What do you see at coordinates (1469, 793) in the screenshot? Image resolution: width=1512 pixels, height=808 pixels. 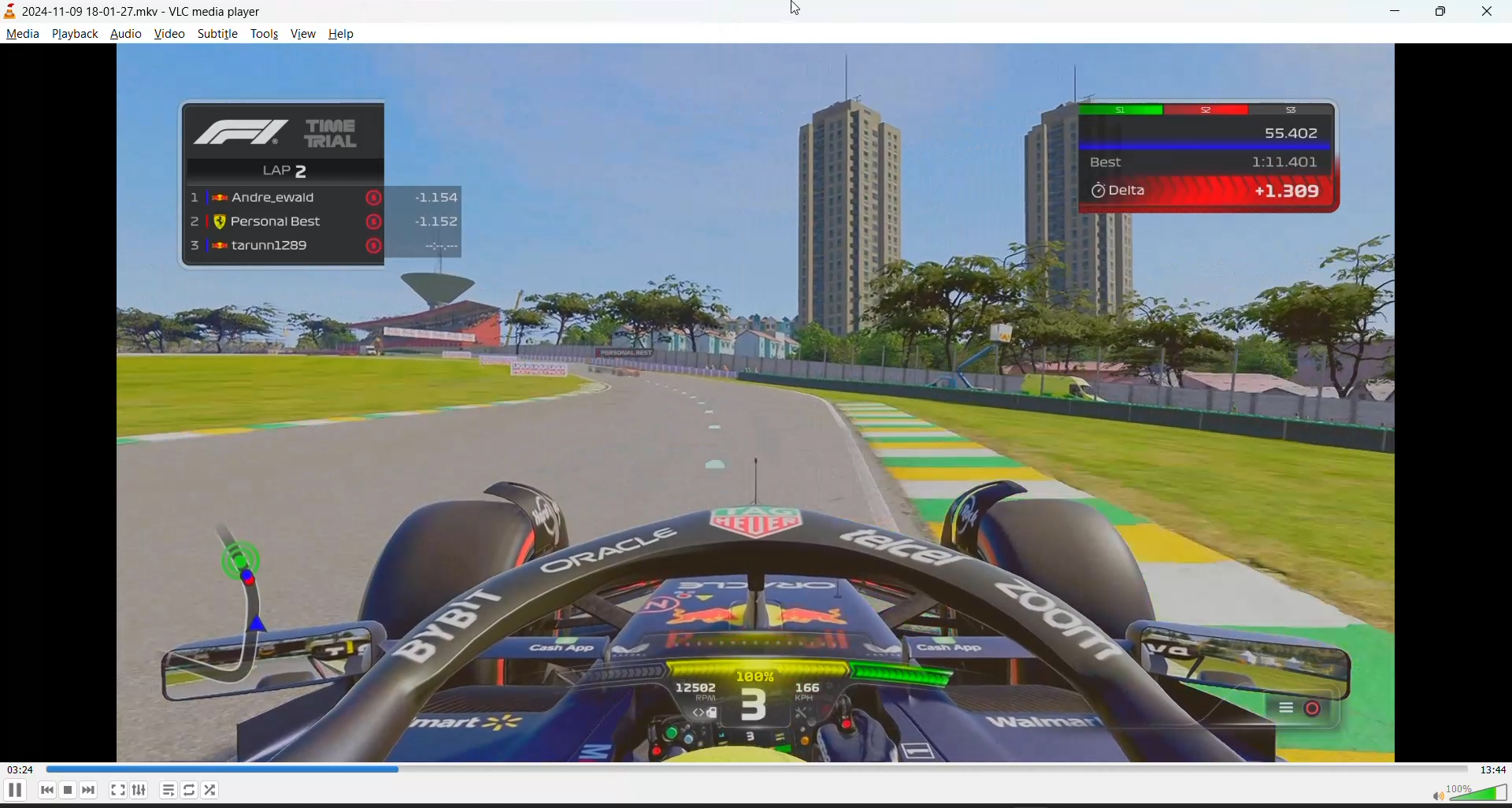 I see `volume` at bounding box center [1469, 793].